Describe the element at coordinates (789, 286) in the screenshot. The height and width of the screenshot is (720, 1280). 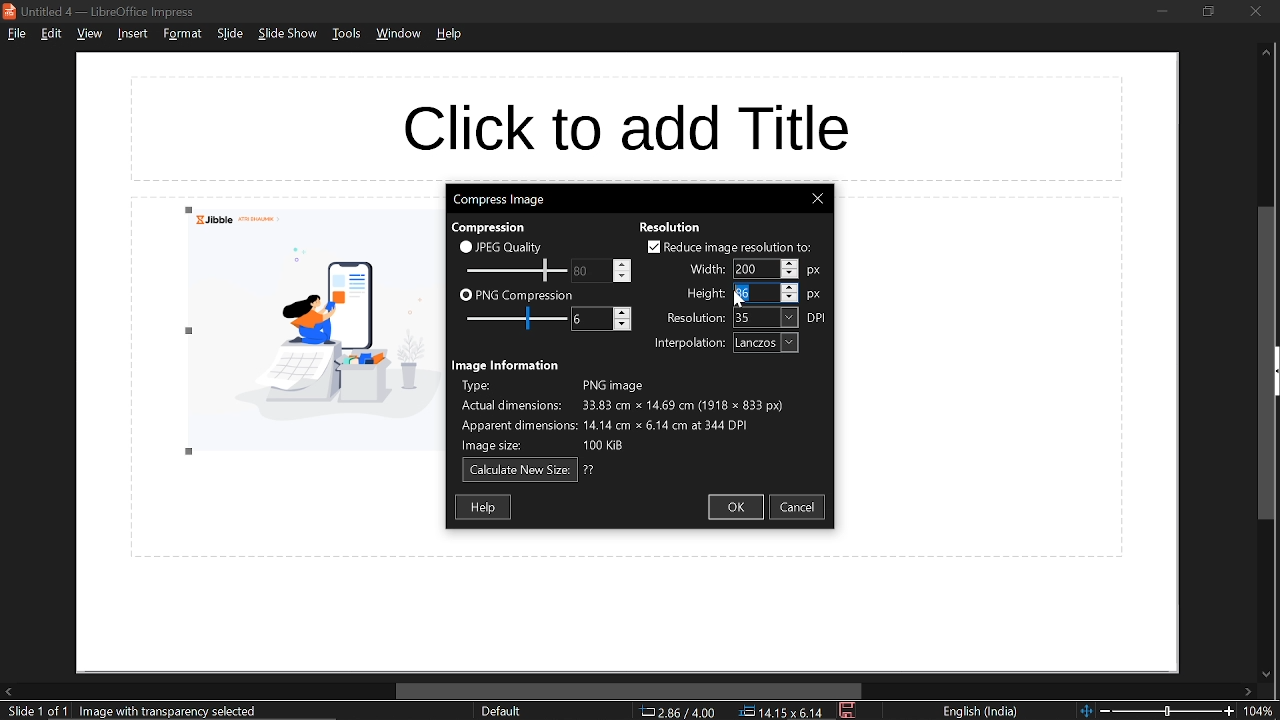
I see `increase height` at that location.